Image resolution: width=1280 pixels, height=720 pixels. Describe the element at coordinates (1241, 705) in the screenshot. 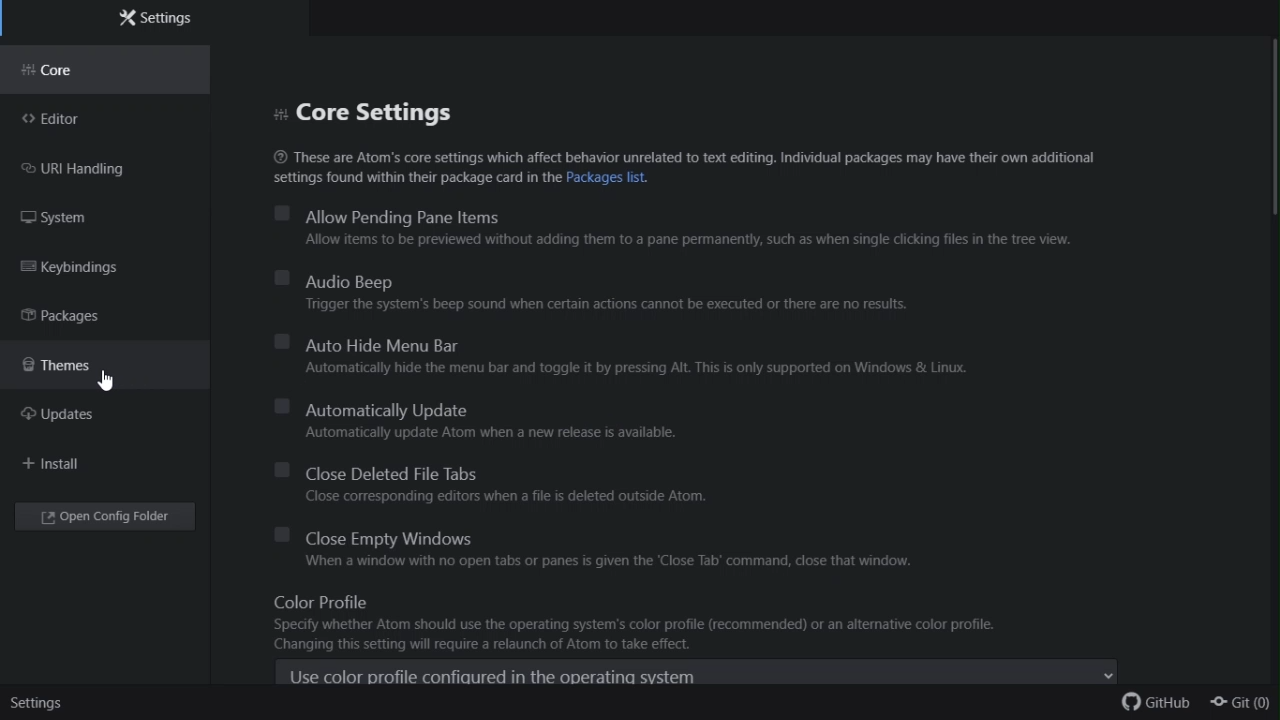

I see `git(0)` at that location.